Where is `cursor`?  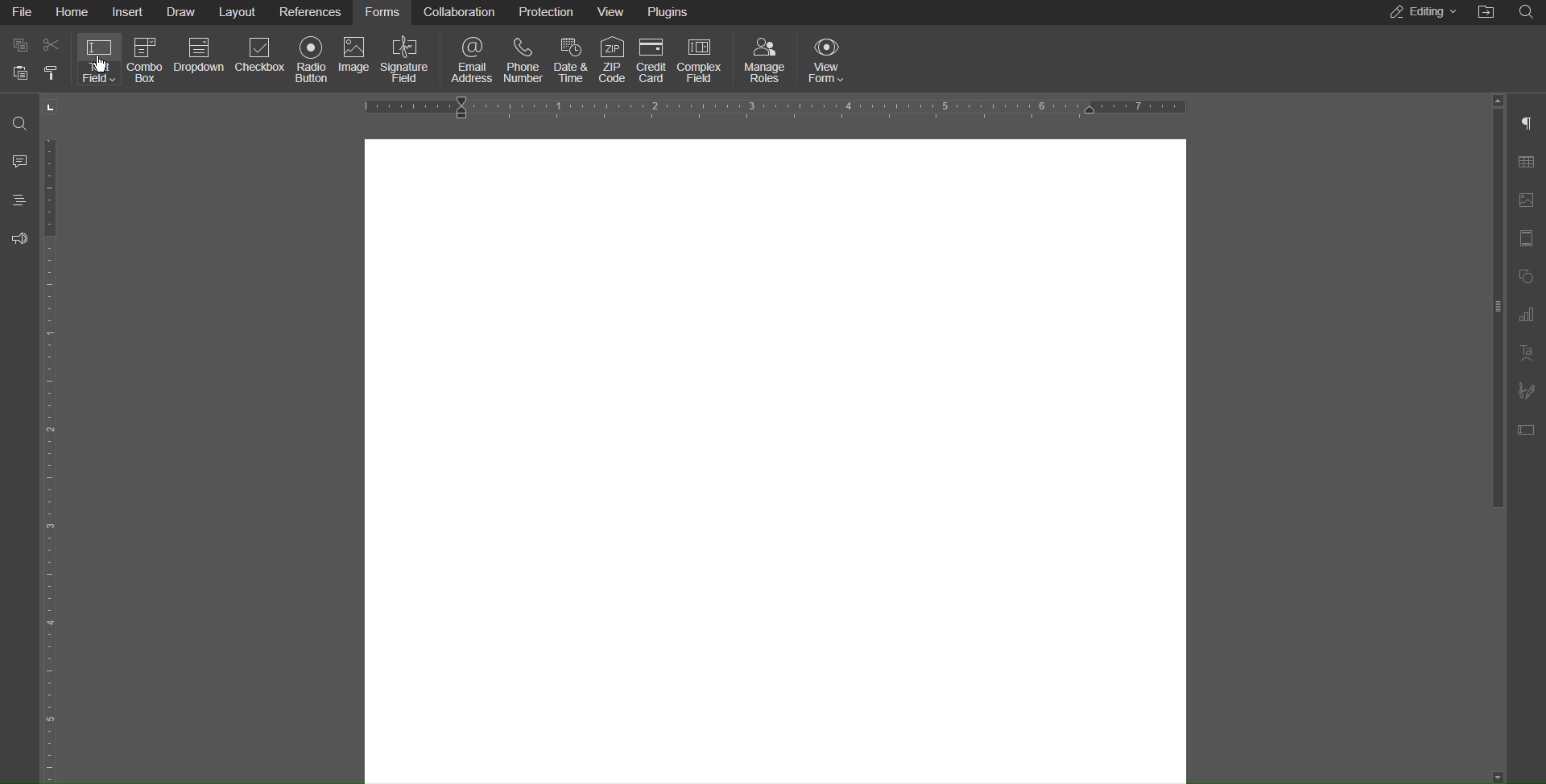
cursor is located at coordinates (101, 65).